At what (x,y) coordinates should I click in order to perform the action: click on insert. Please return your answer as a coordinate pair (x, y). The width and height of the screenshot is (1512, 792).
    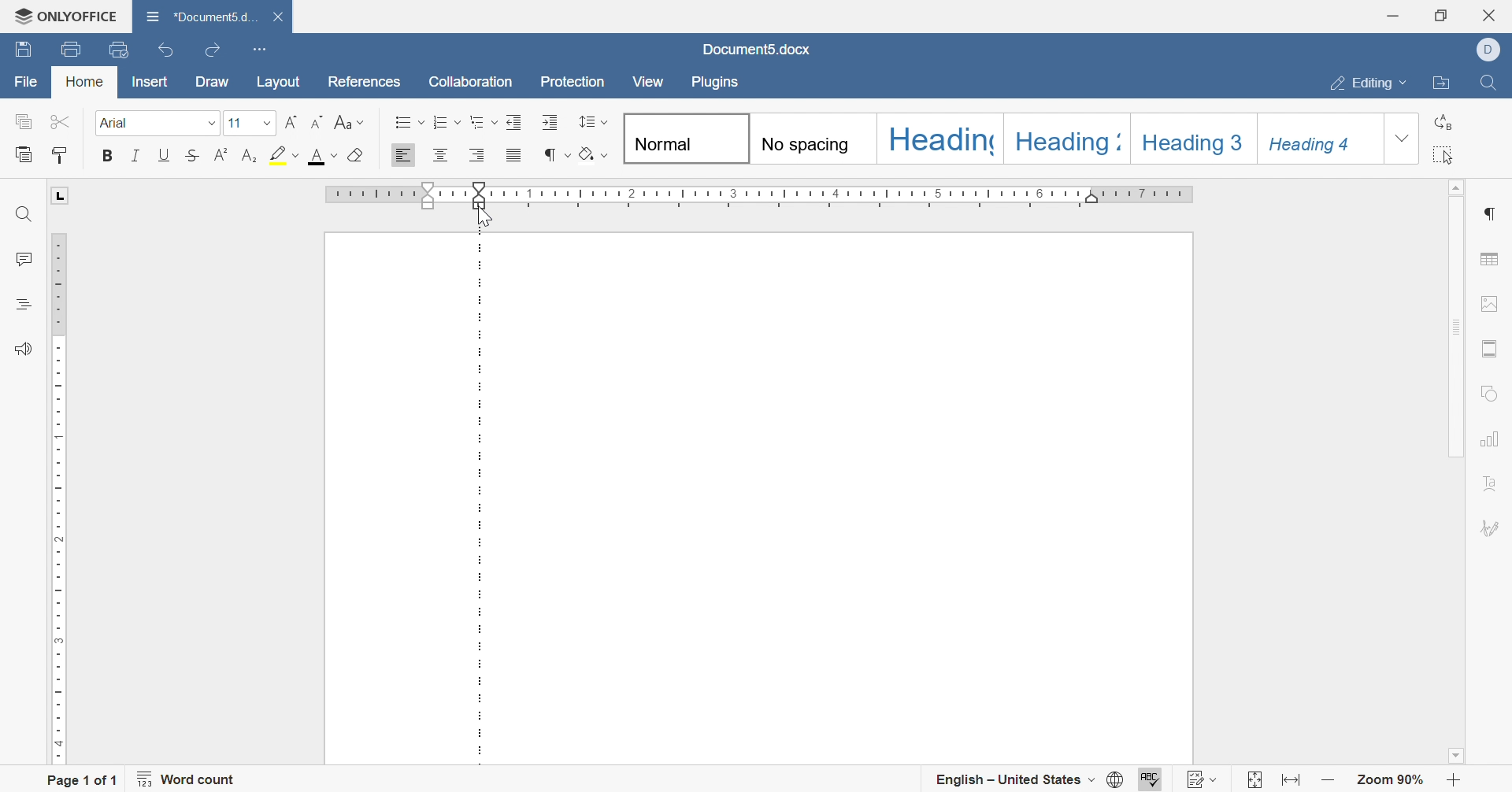
    Looking at the image, I should click on (146, 84).